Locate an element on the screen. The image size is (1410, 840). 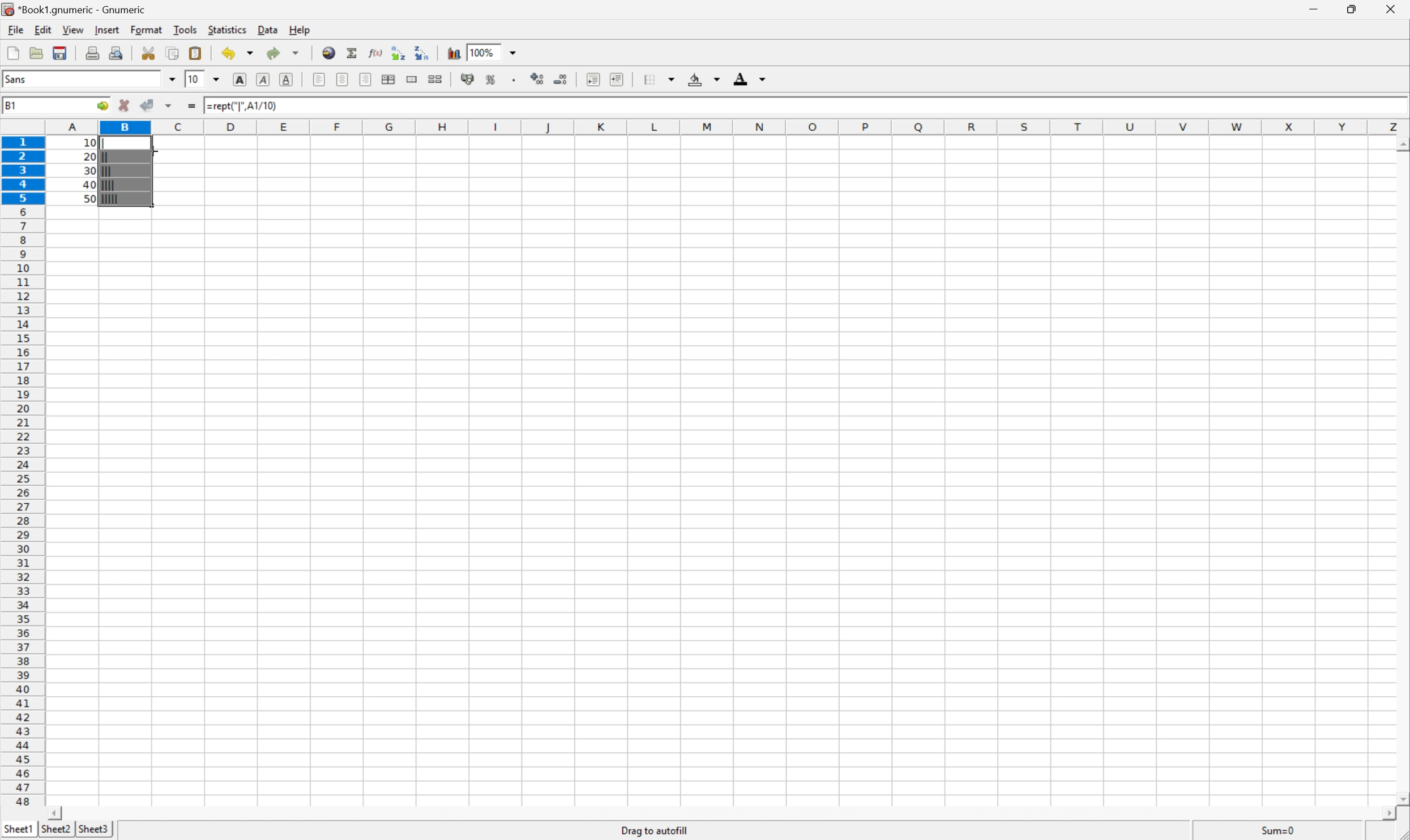
Center Horizontally is located at coordinates (343, 78).